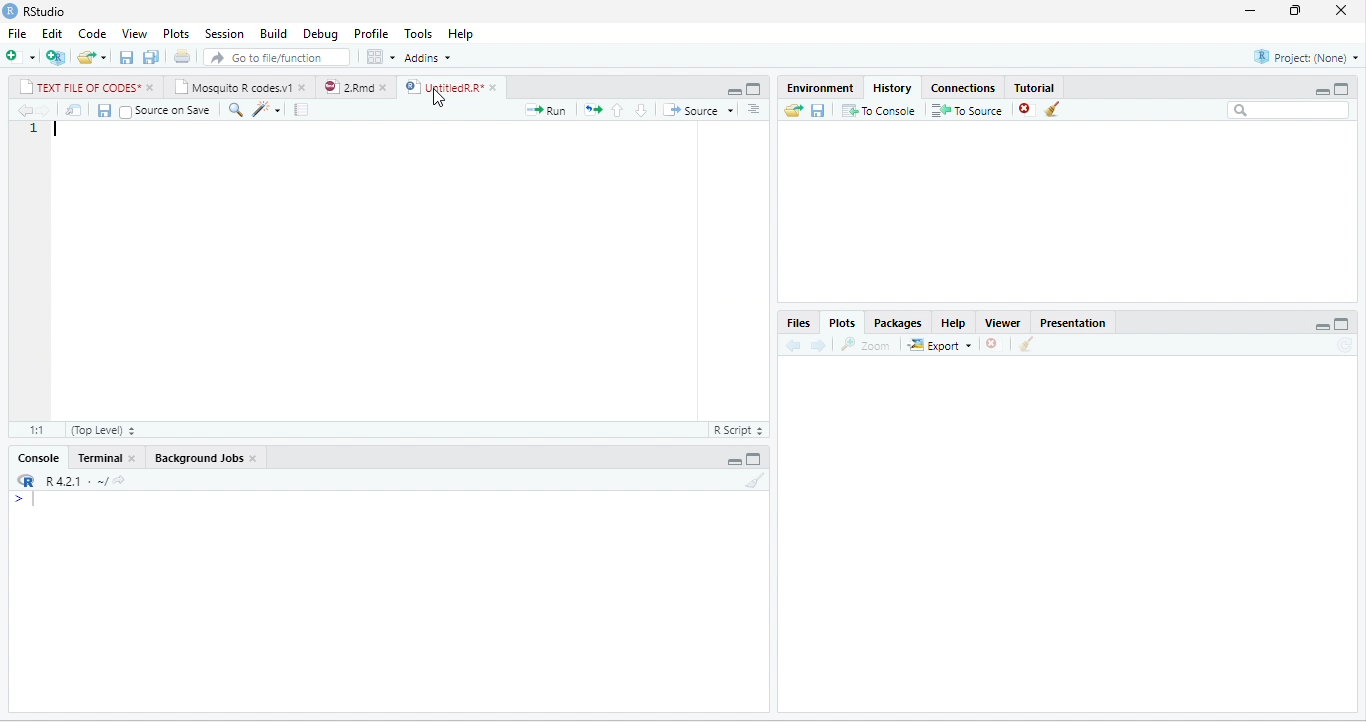 This screenshot has width=1366, height=722. What do you see at coordinates (1003, 323) in the screenshot?
I see `Viewer` at bounding box center [1003, 323].